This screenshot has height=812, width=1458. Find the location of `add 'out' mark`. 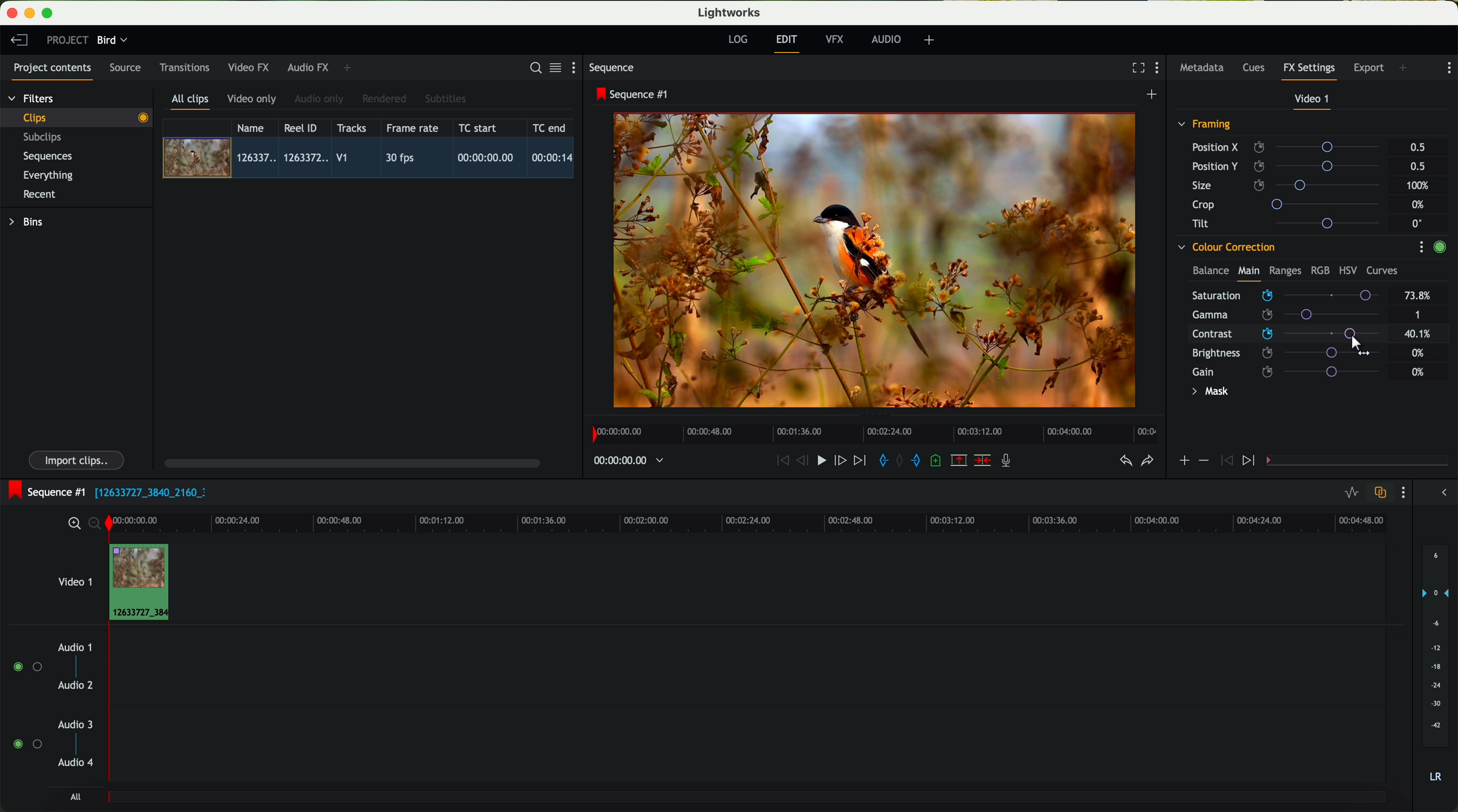

add 'out' mark is located at coordinates (921, 459).